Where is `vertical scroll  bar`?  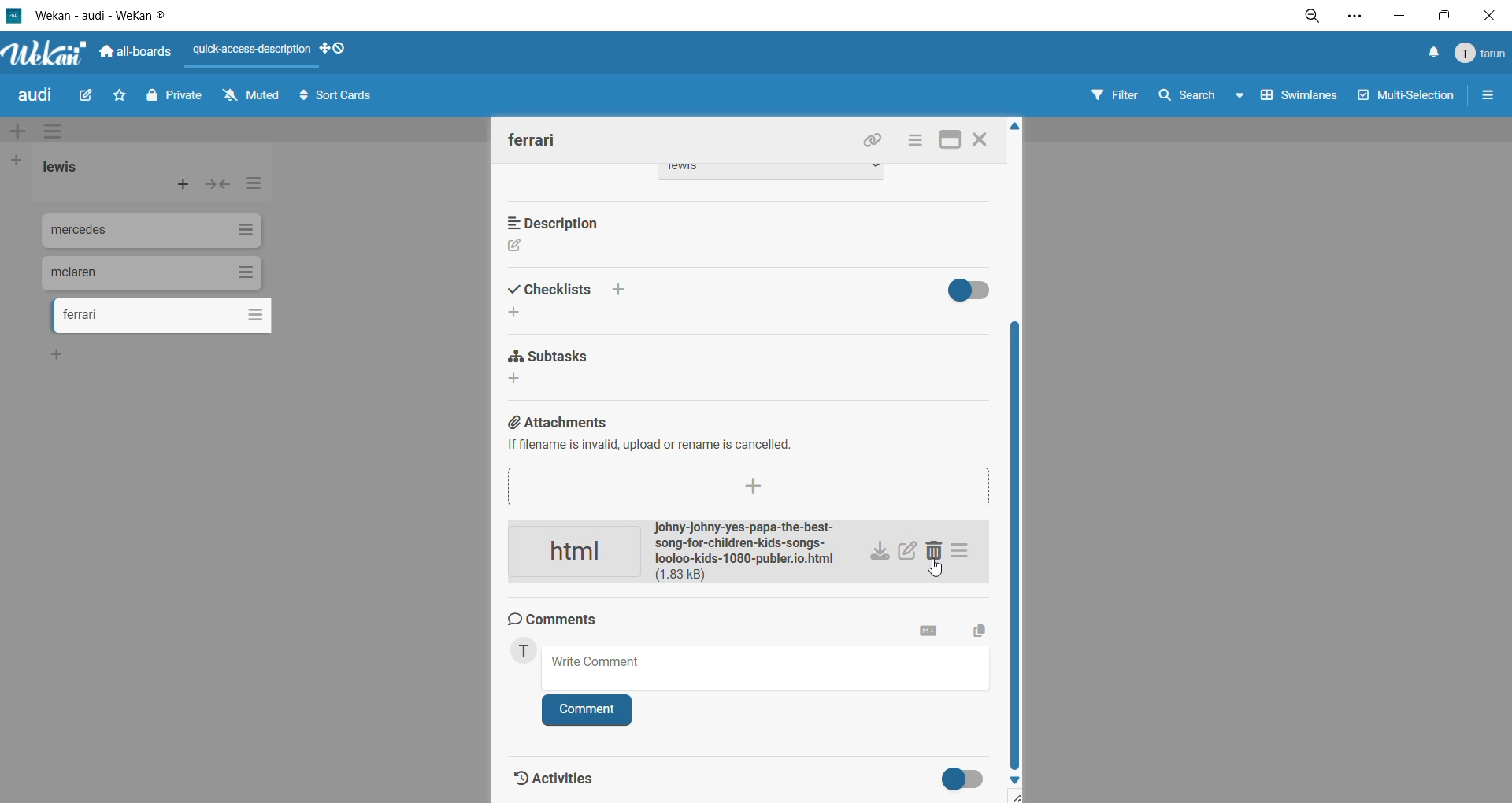 vertical scroll  bar is located at coordinates (1014, 544).